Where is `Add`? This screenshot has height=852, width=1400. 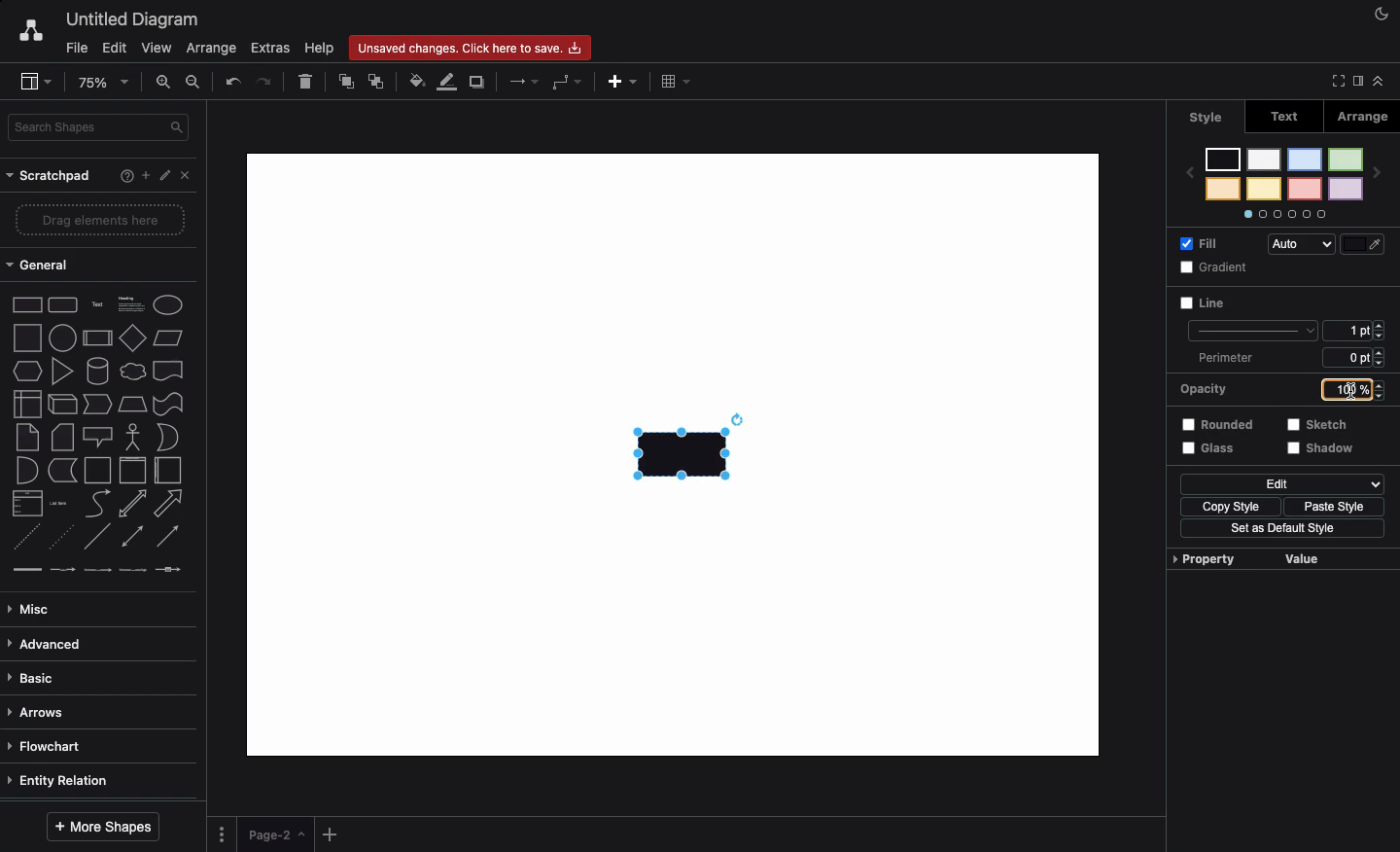
Add is located at coordinates (144, 175).